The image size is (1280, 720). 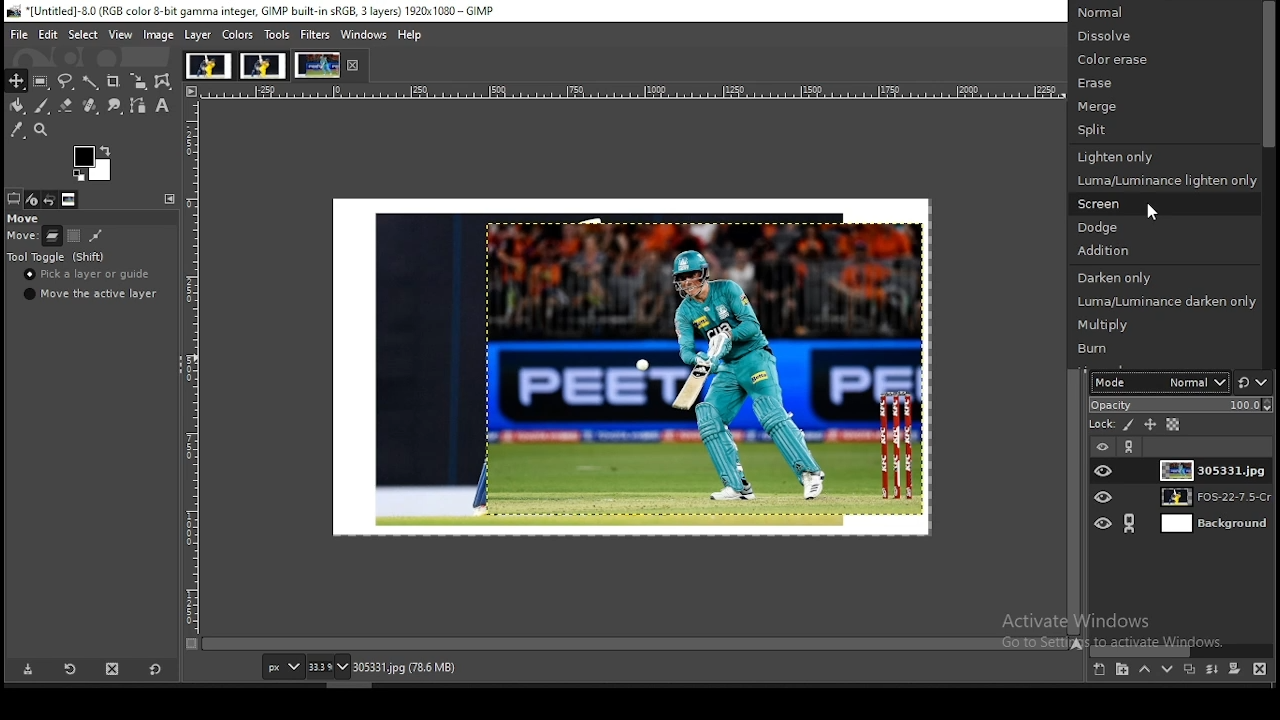 What do you see at coordinates (1122, 669) in the screenshot?
I see `new layer group` at bounding box center [1122, 669].